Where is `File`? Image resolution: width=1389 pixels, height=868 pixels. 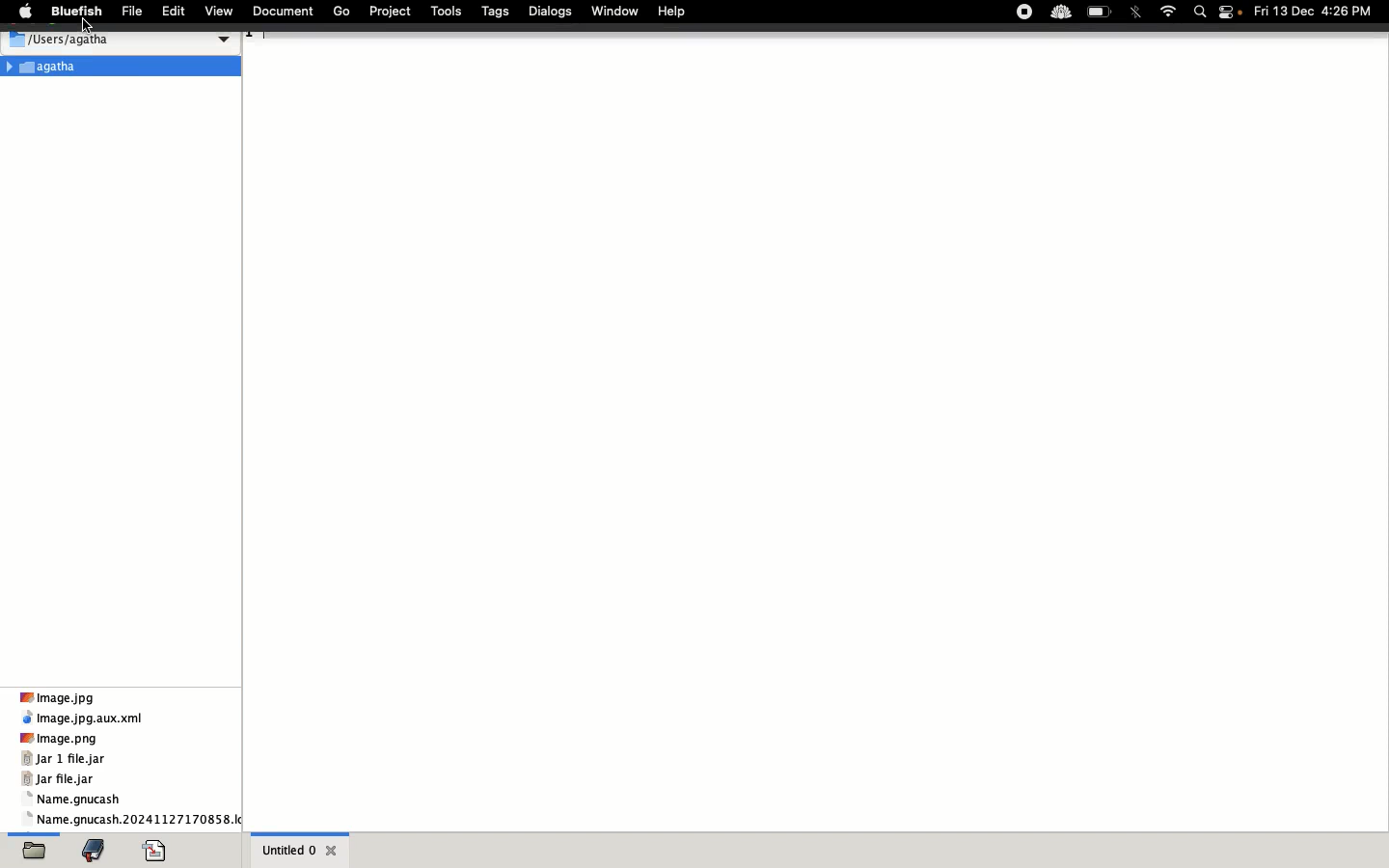 File is located at coordinates (38, 848).